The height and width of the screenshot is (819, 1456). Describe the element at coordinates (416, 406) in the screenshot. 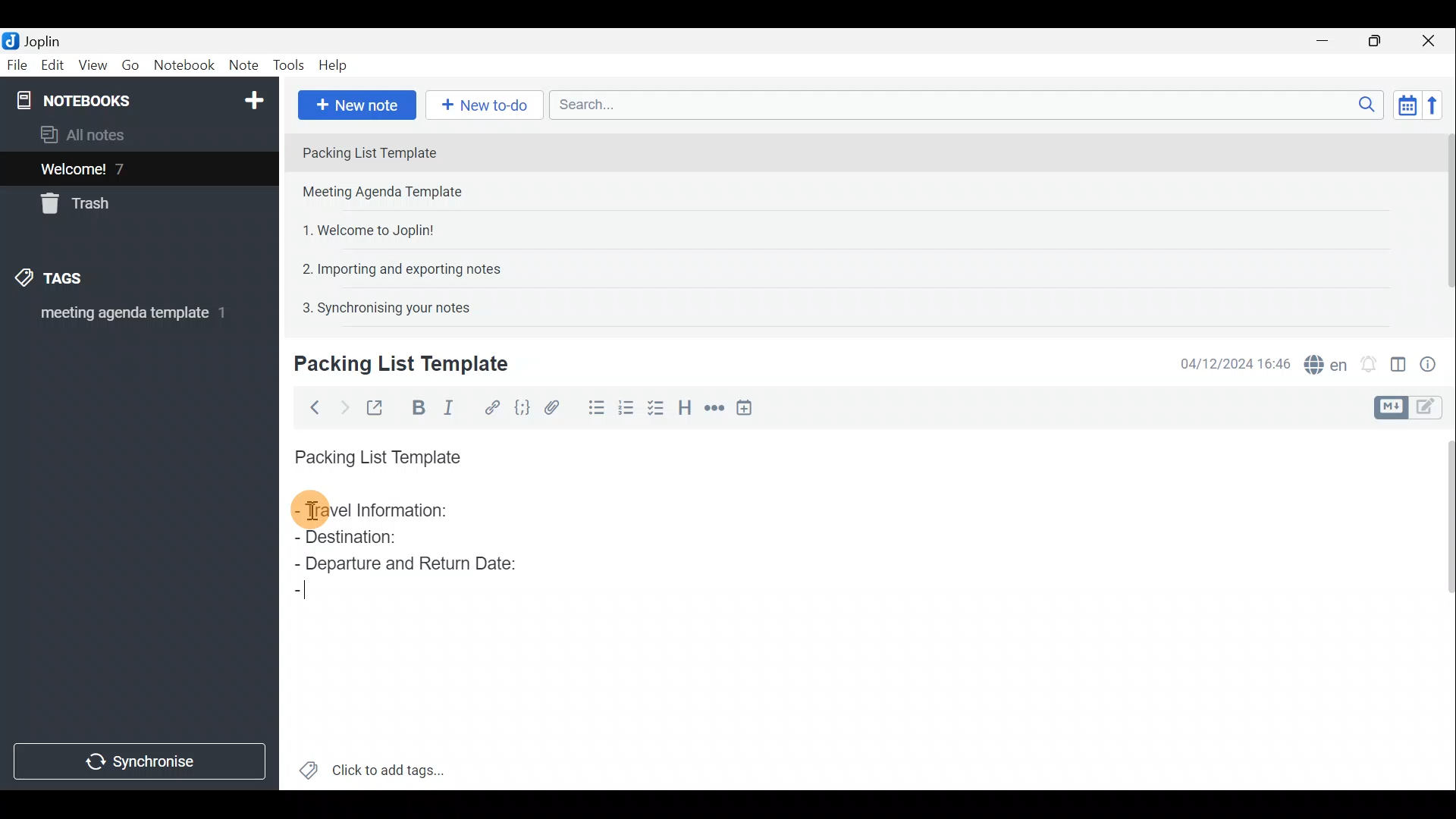

I see `Bold` at that location.